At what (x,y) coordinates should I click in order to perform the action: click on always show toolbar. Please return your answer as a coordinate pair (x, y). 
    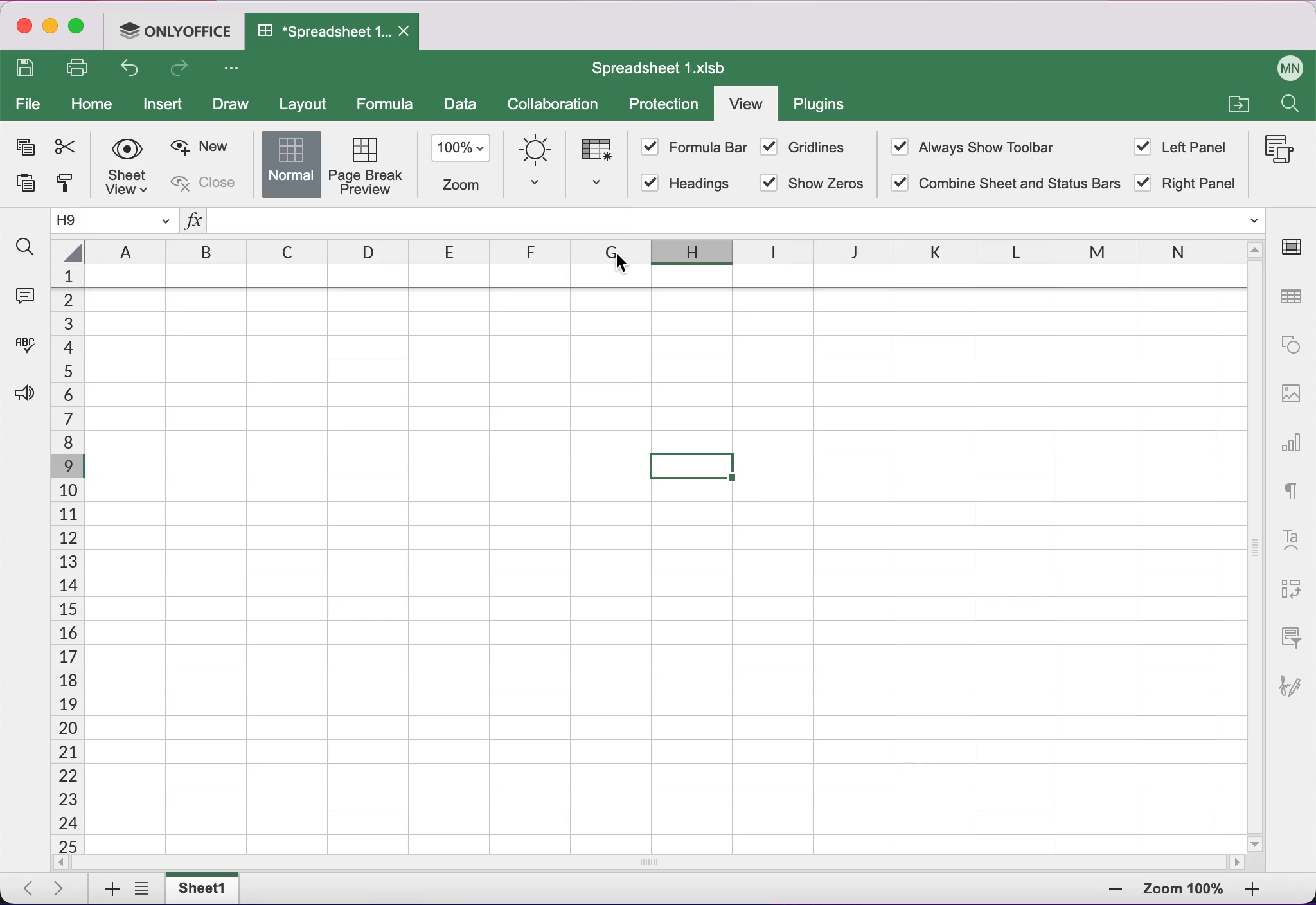
    Looking at the image, I should click on (976, 147).